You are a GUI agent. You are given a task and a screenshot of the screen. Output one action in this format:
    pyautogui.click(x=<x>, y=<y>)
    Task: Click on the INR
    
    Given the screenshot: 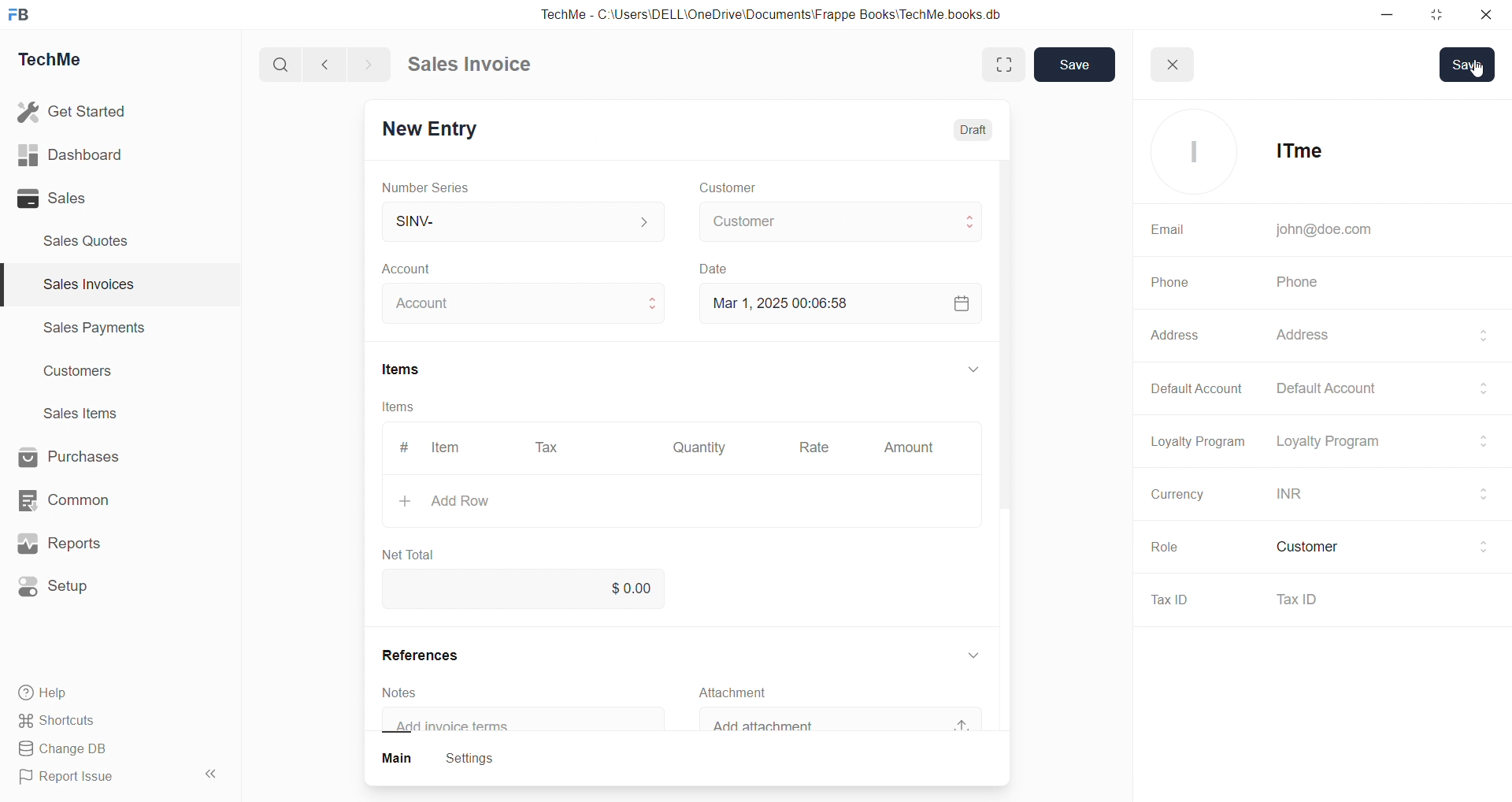 What is the action you would take?
    pyautogui.click(x=1380, y=494)
    